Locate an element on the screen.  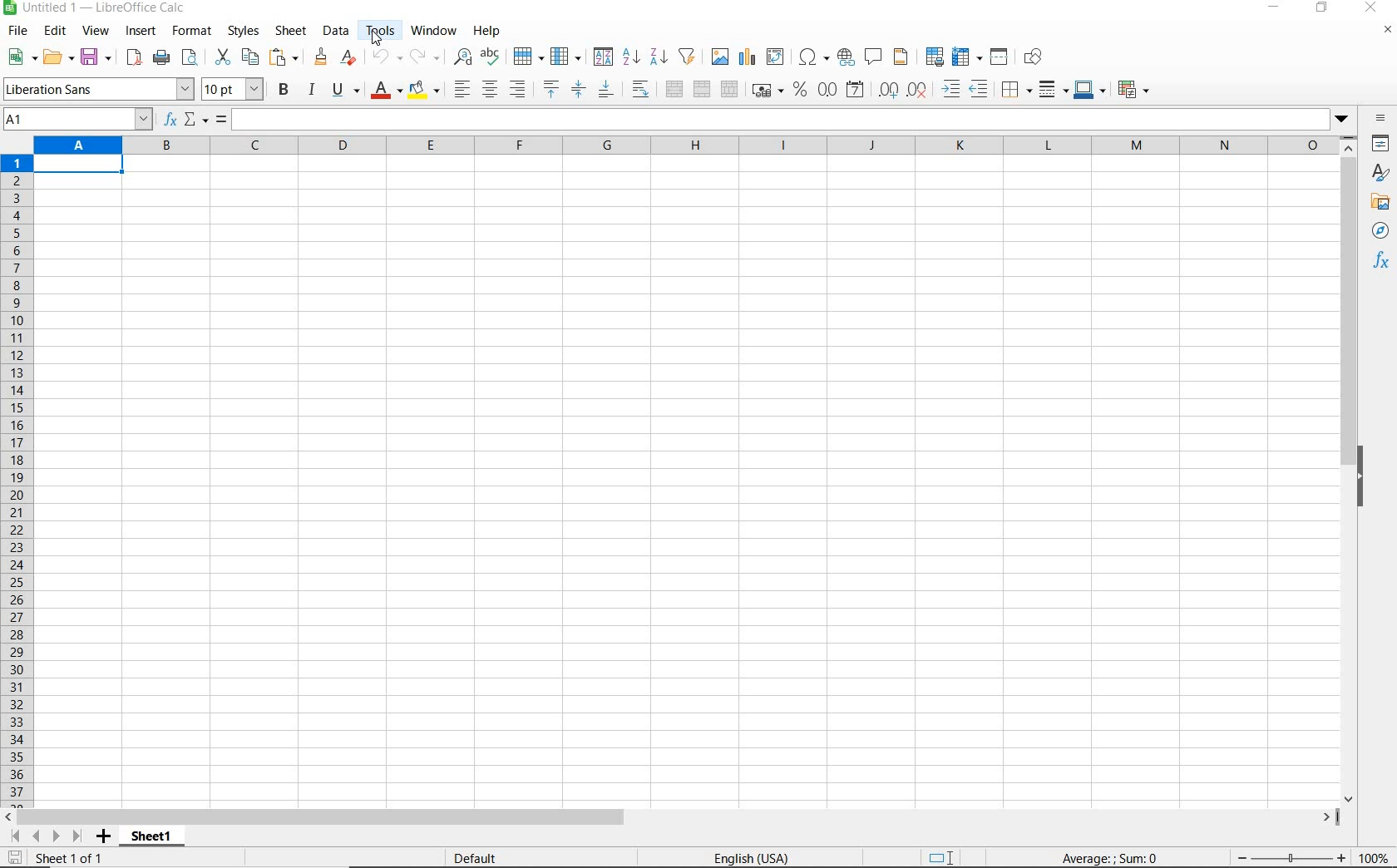
open is located at coordinates (57, 57).